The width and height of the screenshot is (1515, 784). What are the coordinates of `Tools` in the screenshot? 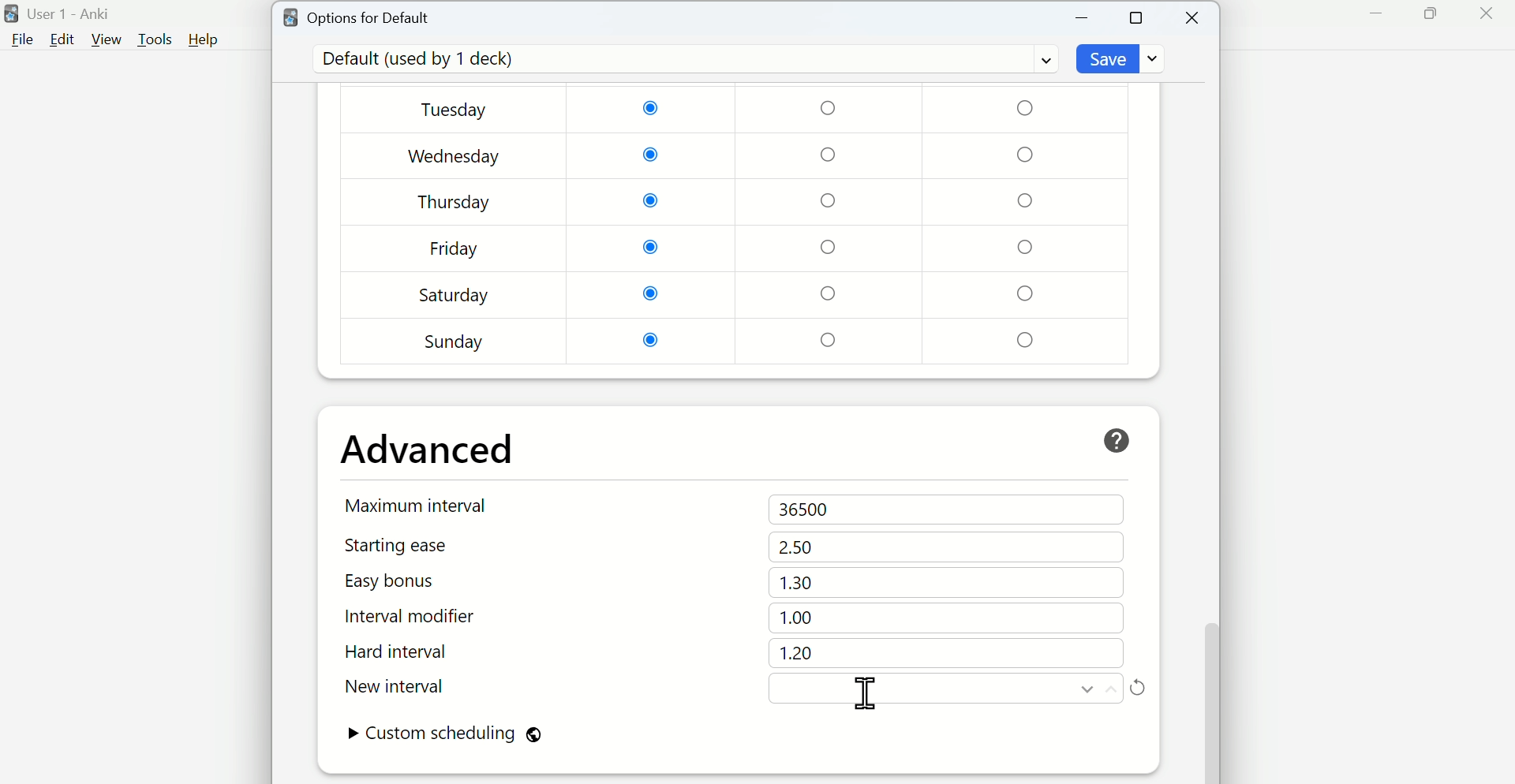 It's located at (157, 39).